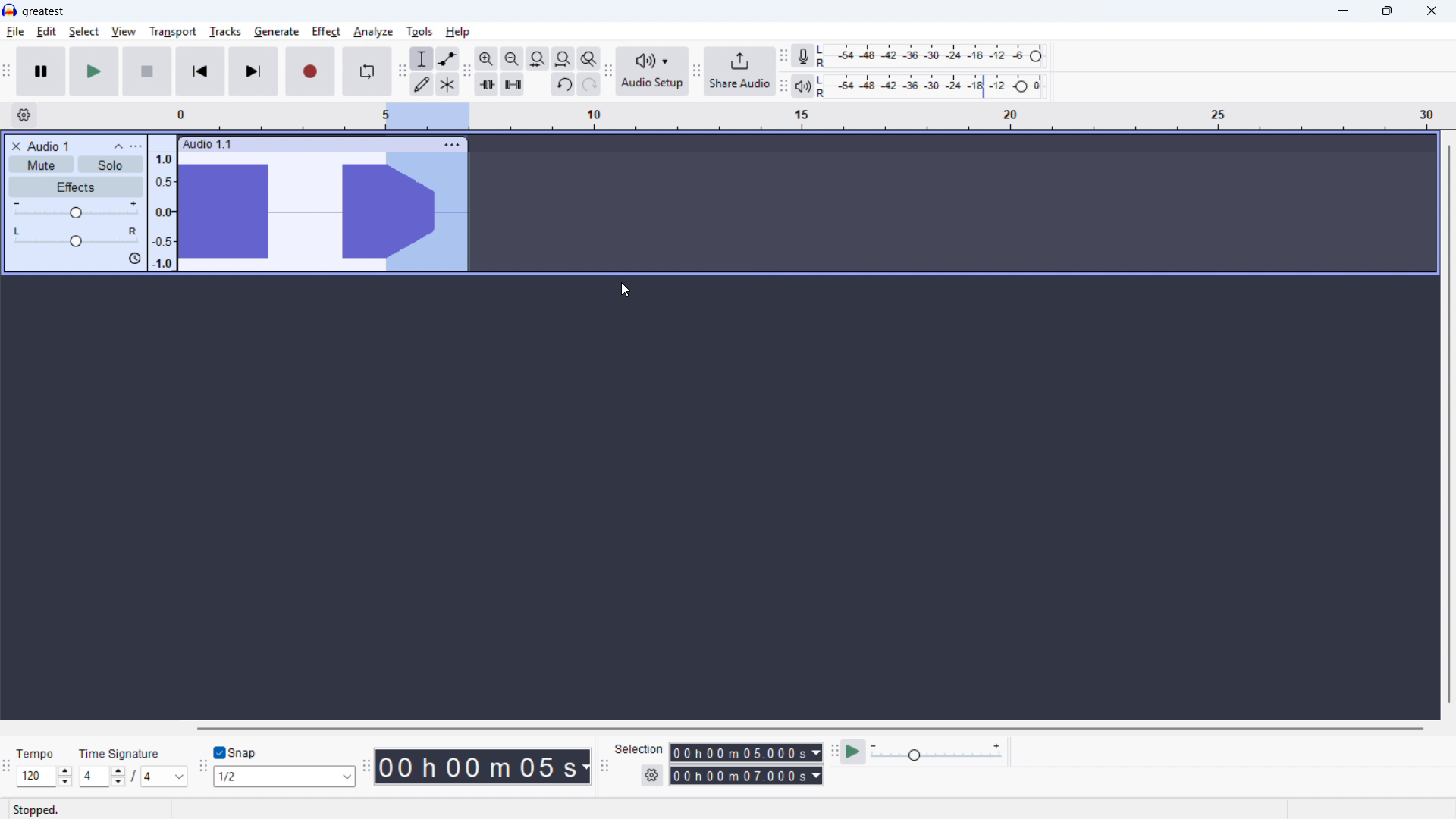 The image size is (1456, 819). What do you see at coordinates (563, 84) in the screenshot?
I see `Undo ` at bounding box center [563, 84].